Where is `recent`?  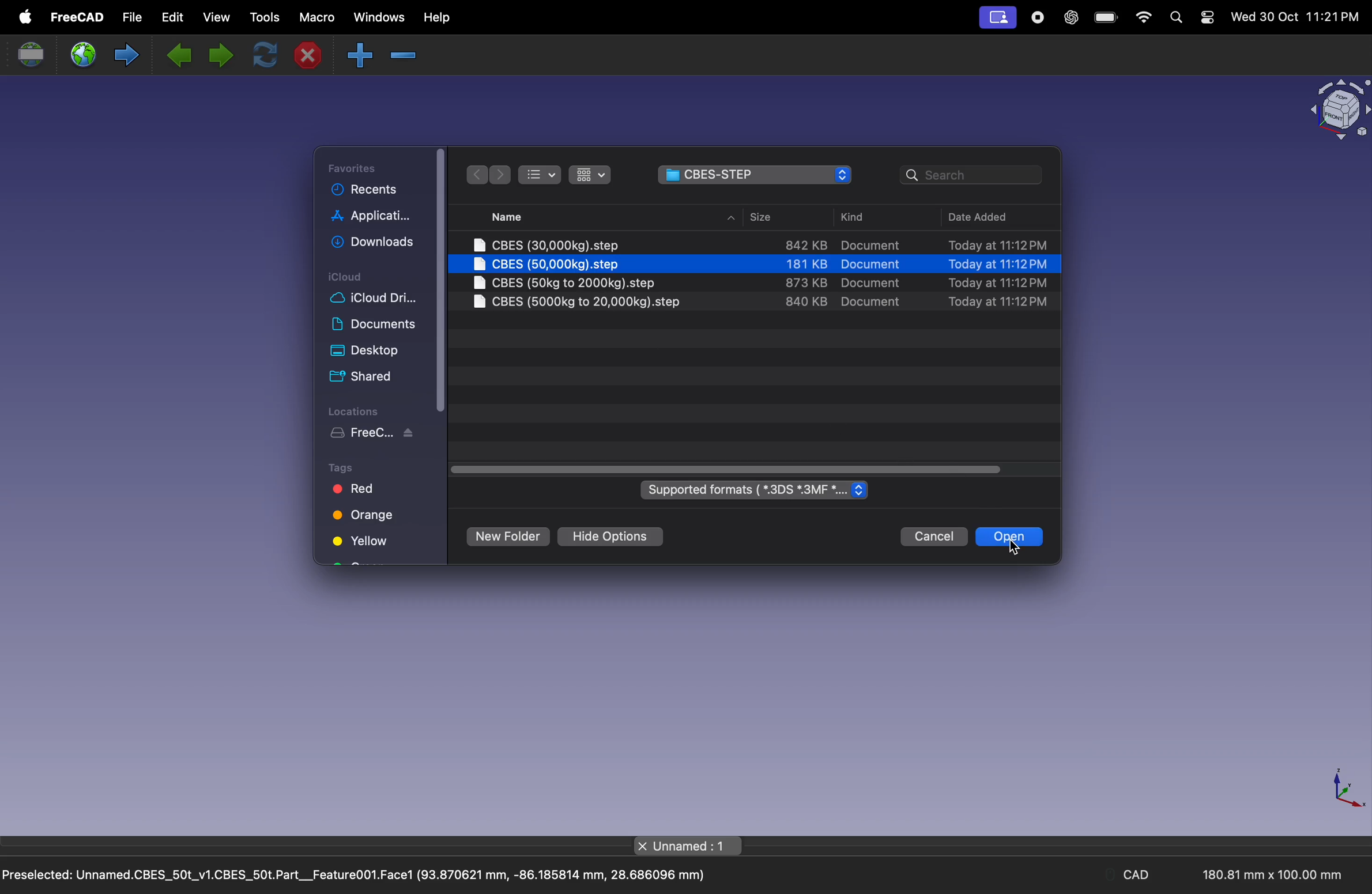
recent is located at coordinates (365, 191).